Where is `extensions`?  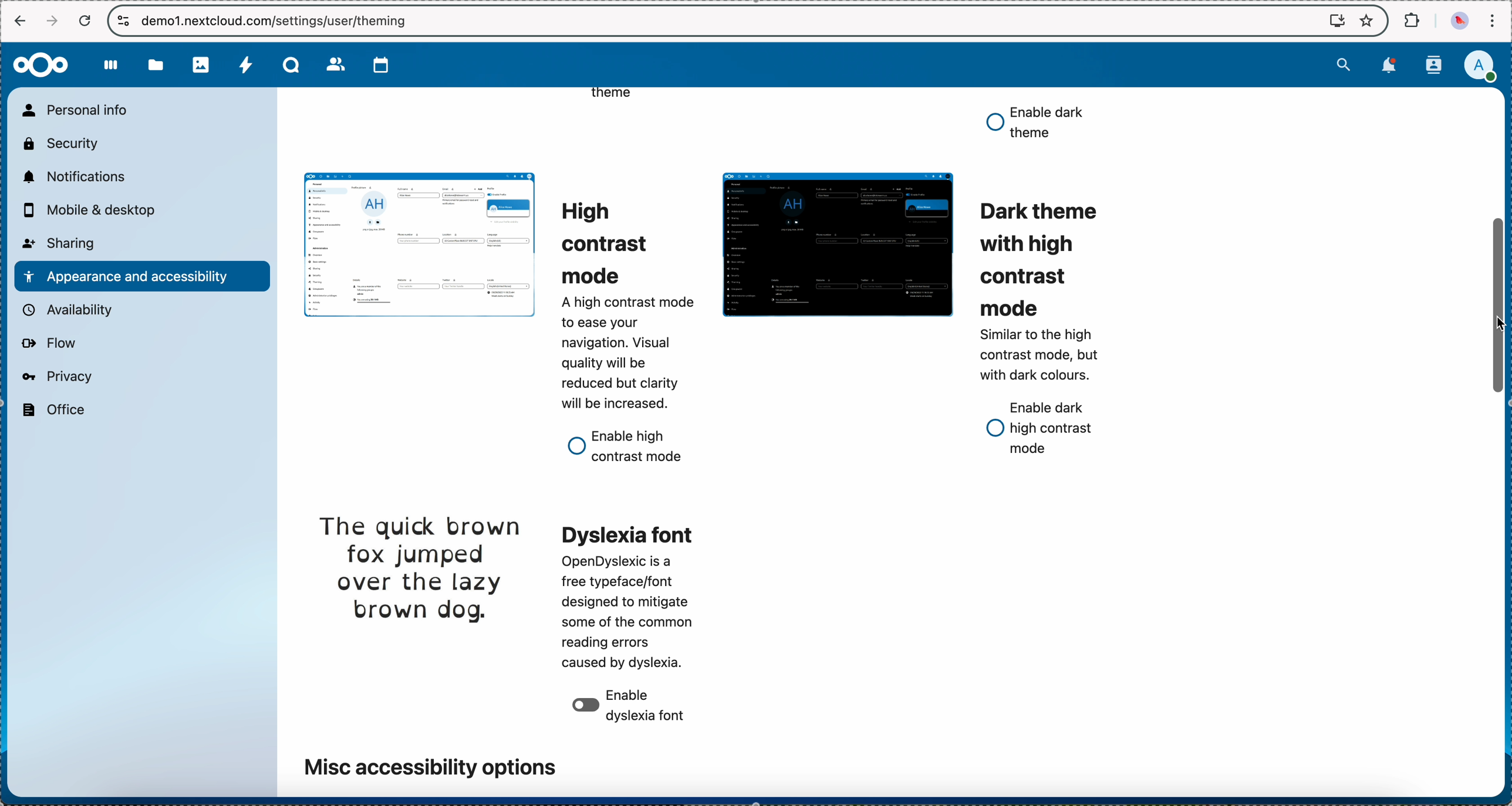
extensions is located at coordinates (1410, 21).